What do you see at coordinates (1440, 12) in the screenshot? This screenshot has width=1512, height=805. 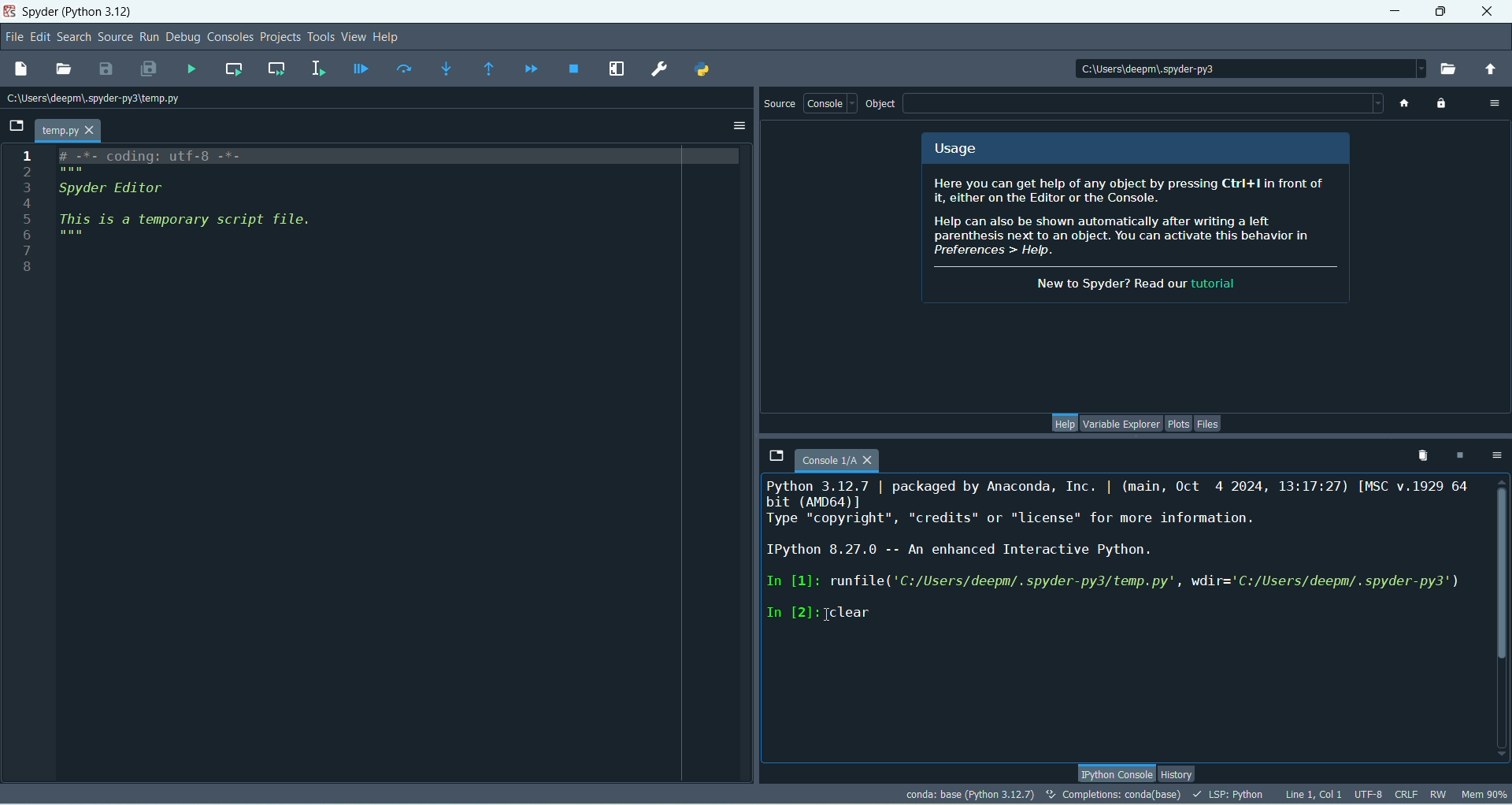 I see `maximize` at bounding box center [1440, 12].